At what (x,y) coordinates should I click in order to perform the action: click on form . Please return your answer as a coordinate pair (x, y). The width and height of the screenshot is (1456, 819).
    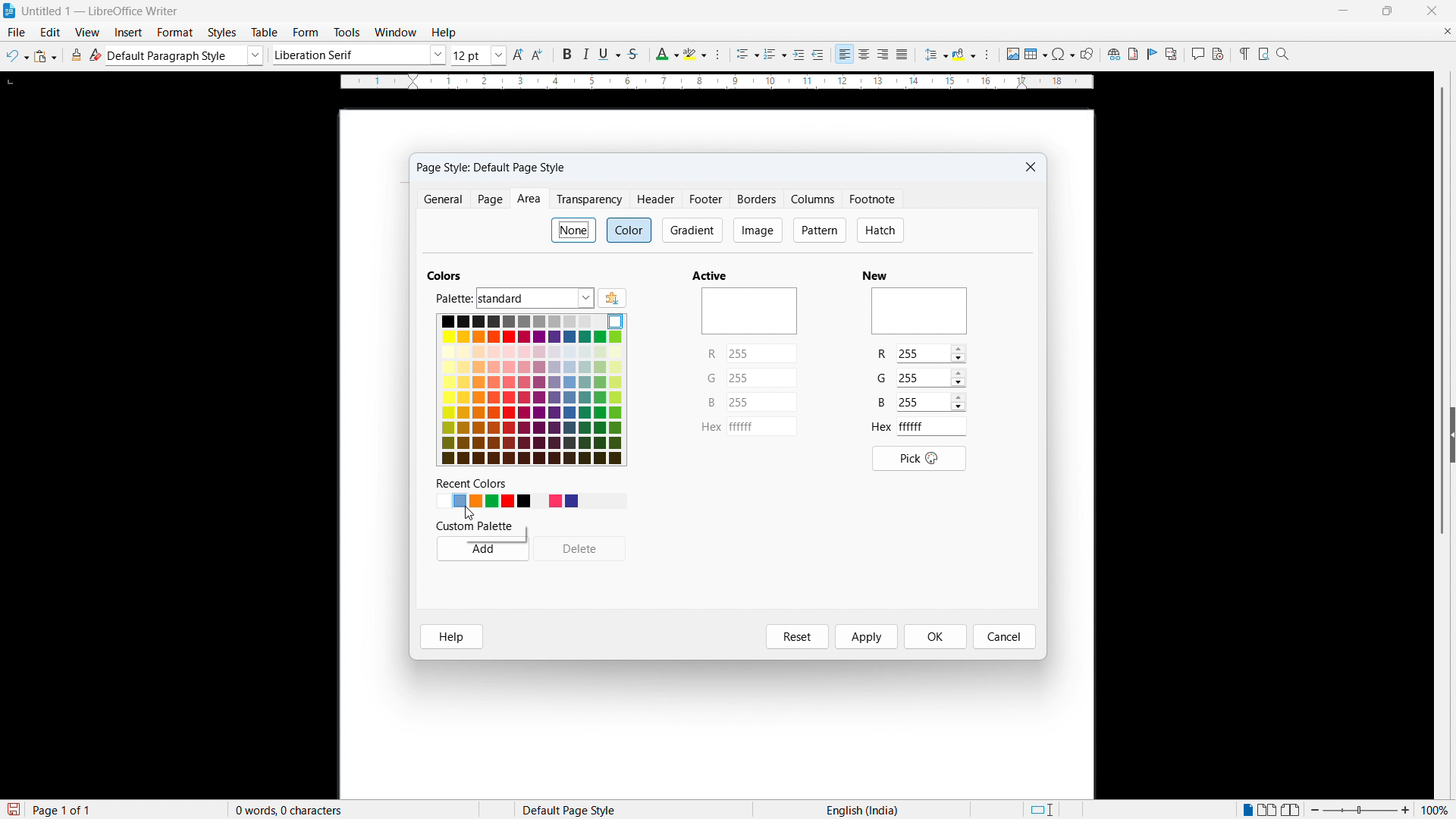
    Looking at the image, I should click on (306, 33).